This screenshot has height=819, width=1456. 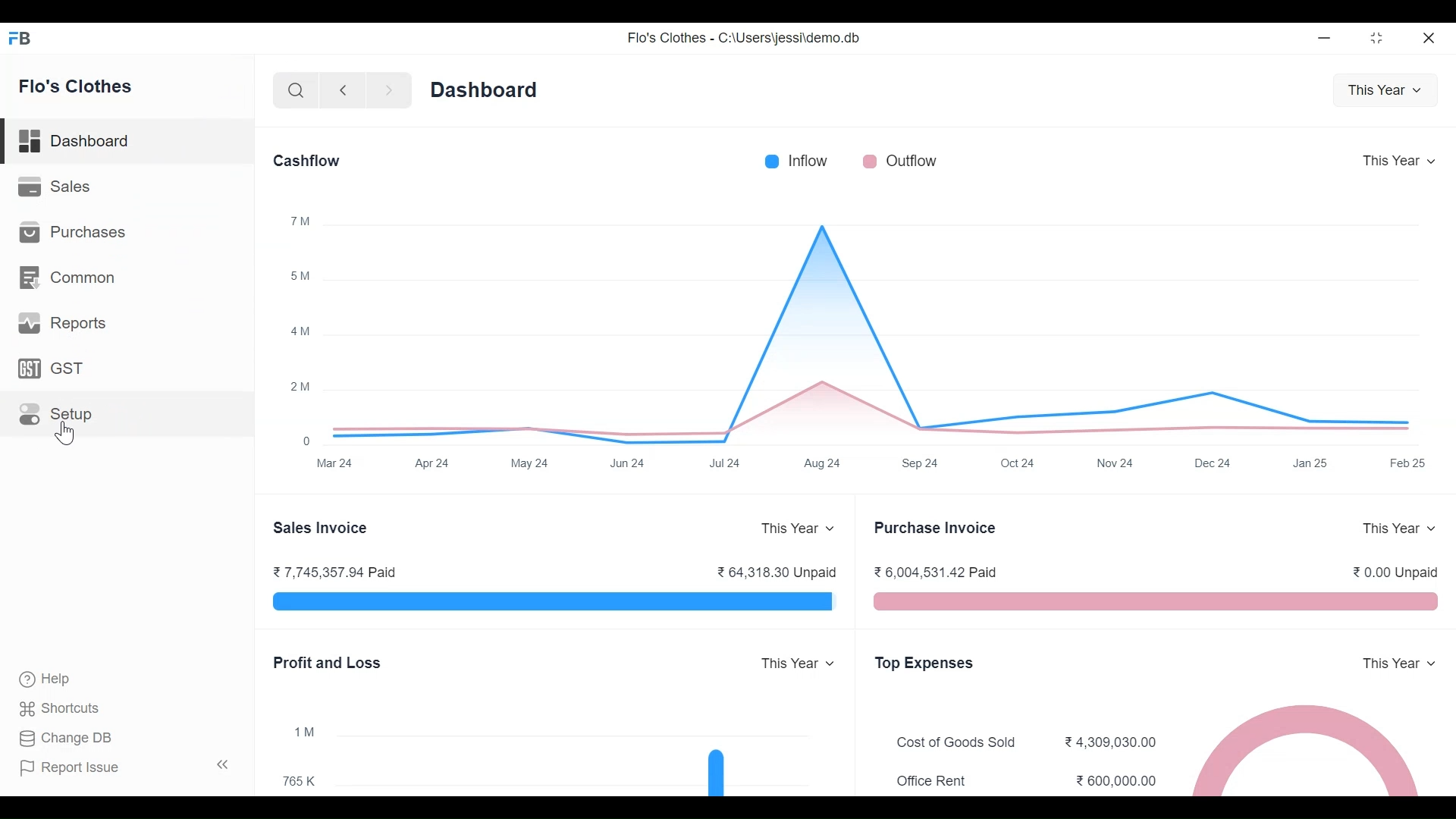 I want to click on Purchases, so click(x=71, y=233).